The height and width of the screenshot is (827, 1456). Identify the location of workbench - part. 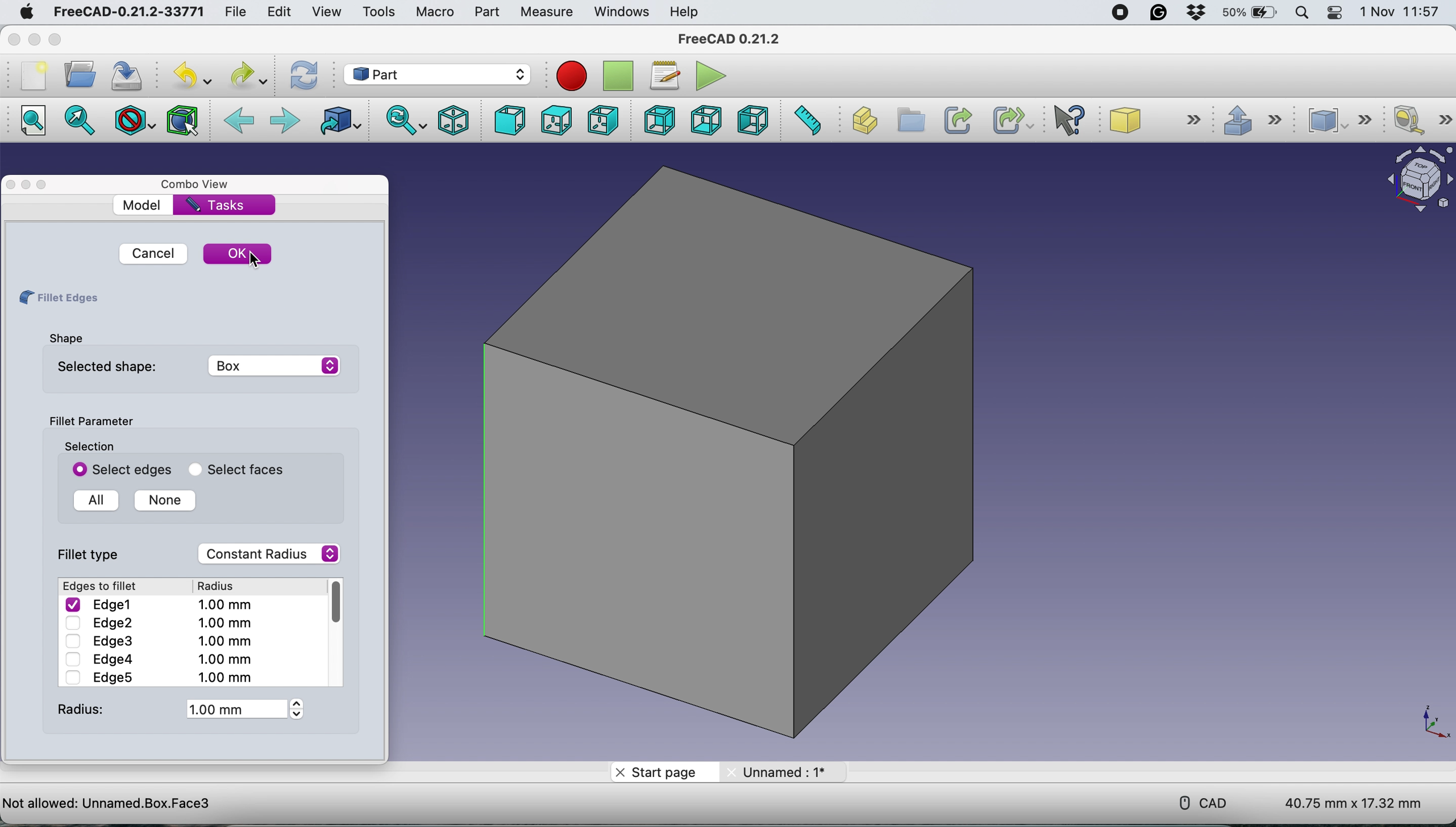
(436, 74).